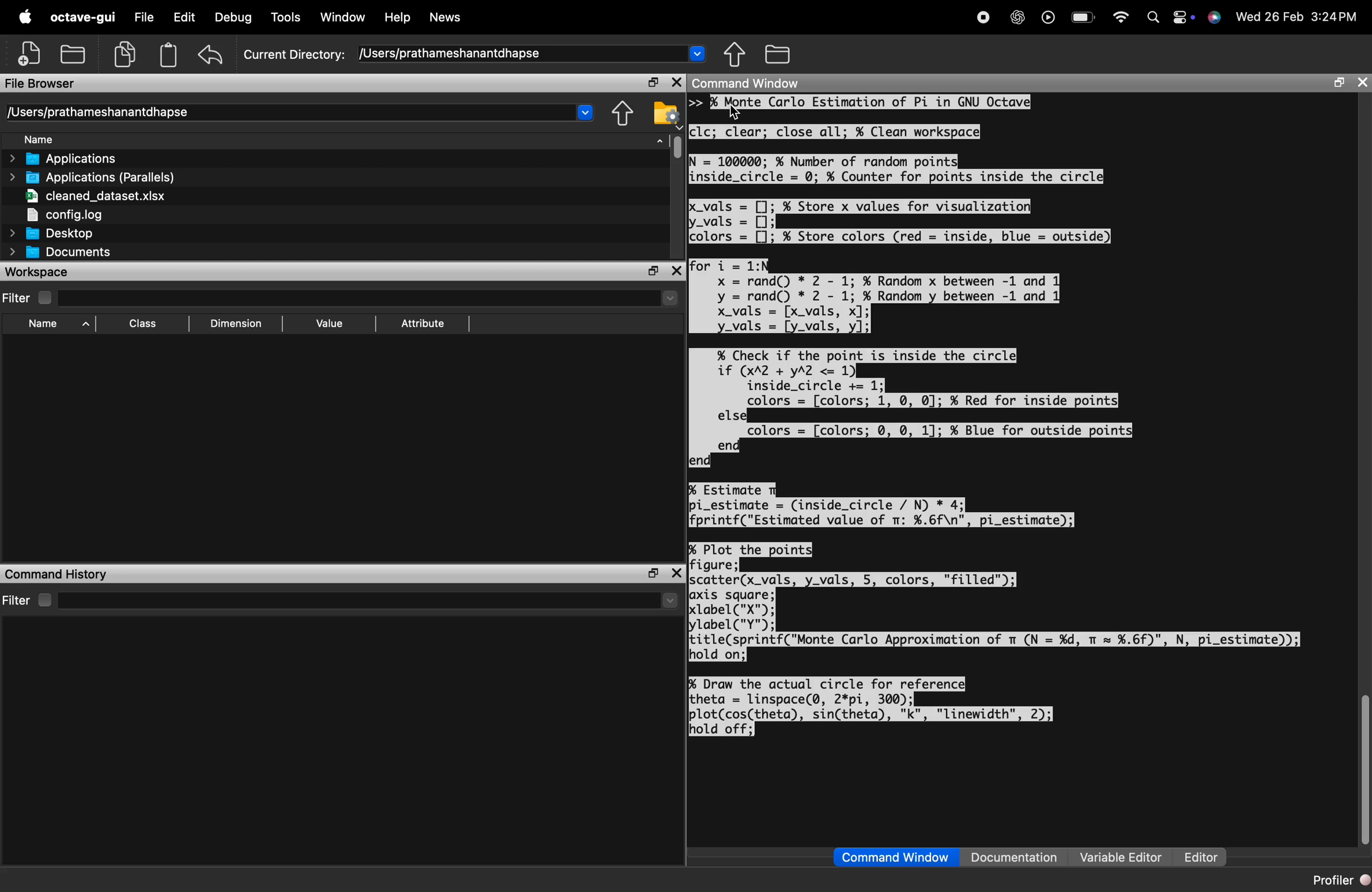 The width and height of the screenshot is (1372, 892). What do you see at coordinates (1015, 19) in the screenshot?
I see `chat GPT` at bounding box center [1015, 19].